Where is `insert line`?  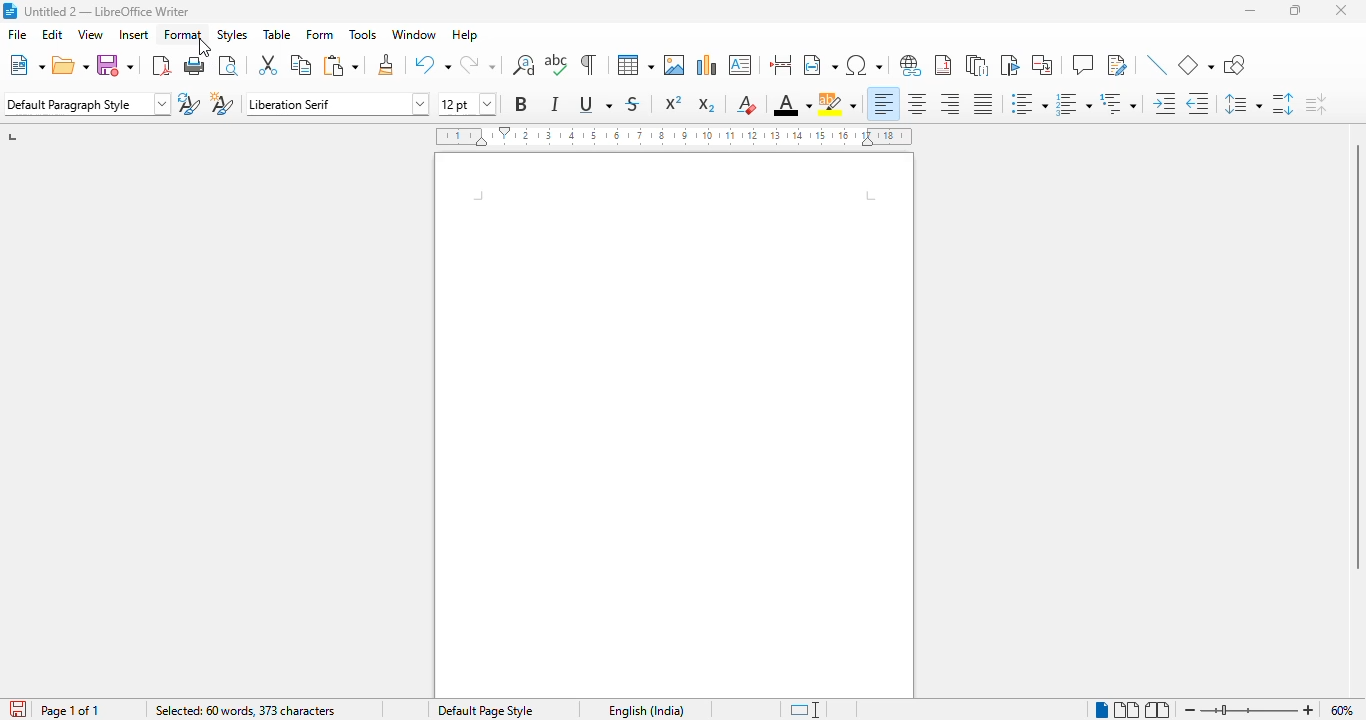
insert line is located at coordinates (1157, 64).